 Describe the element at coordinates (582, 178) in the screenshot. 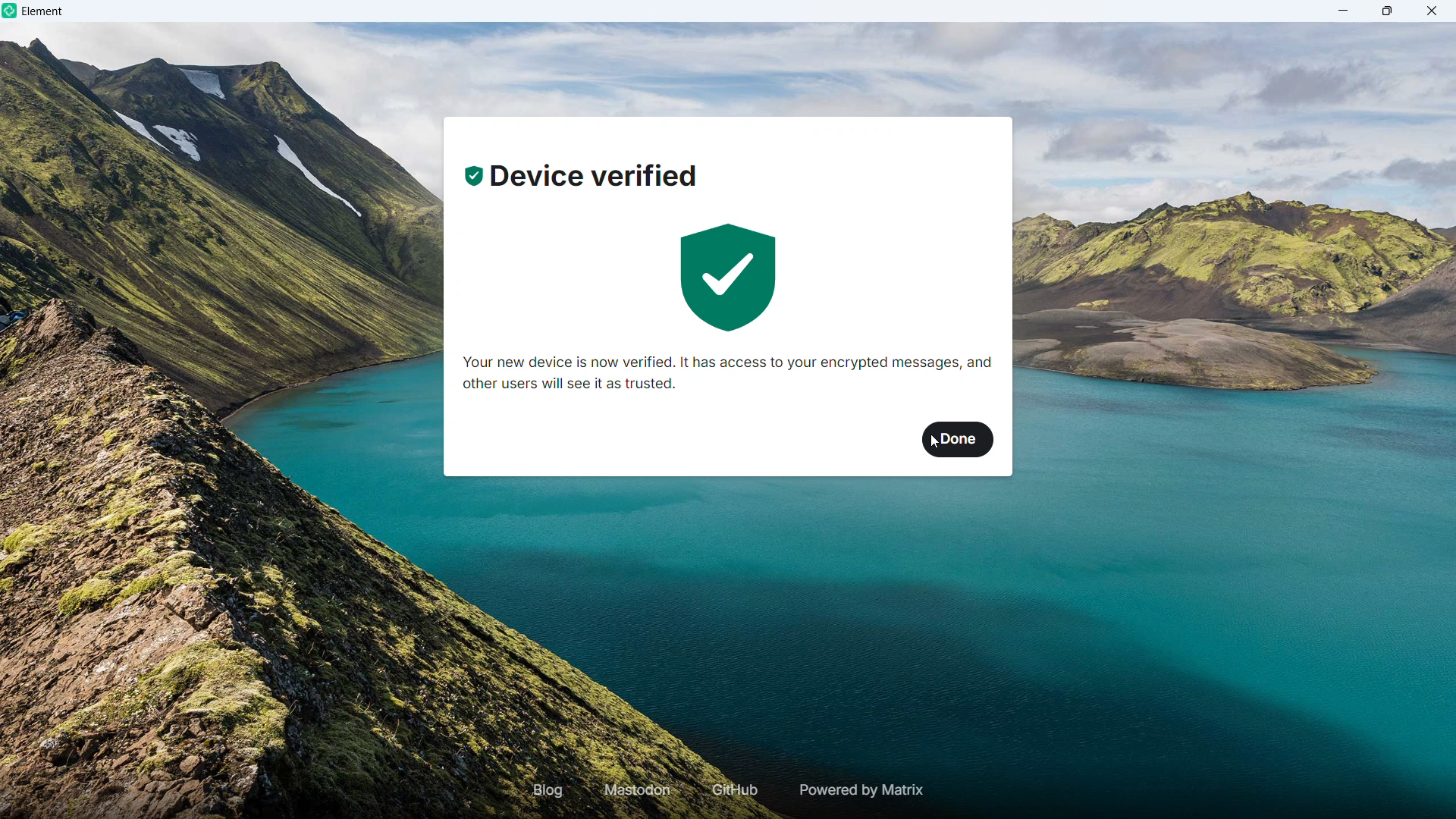

I see `Device verified ` at that location.